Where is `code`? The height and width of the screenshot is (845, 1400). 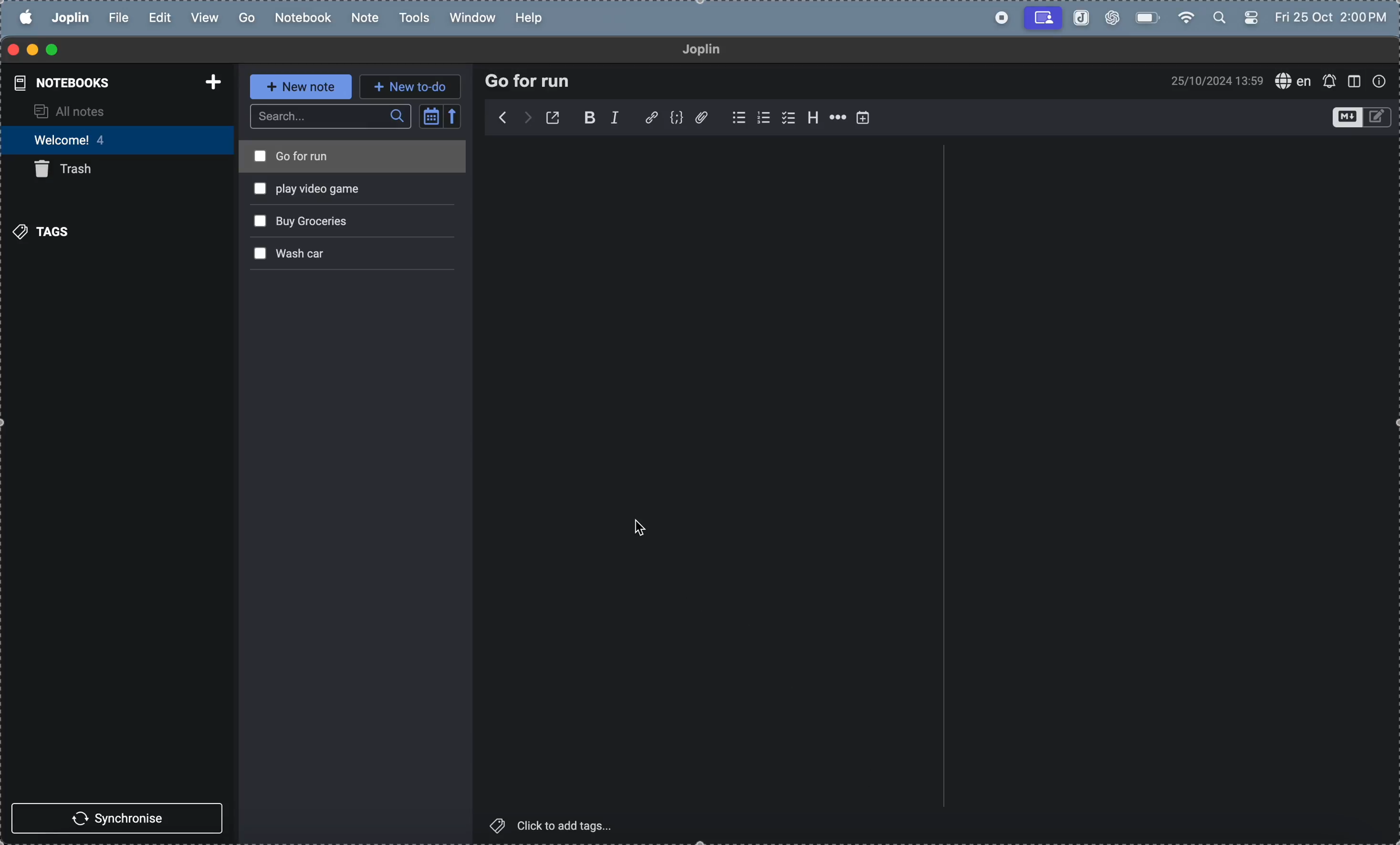 code is located at coordinates (676, 117).